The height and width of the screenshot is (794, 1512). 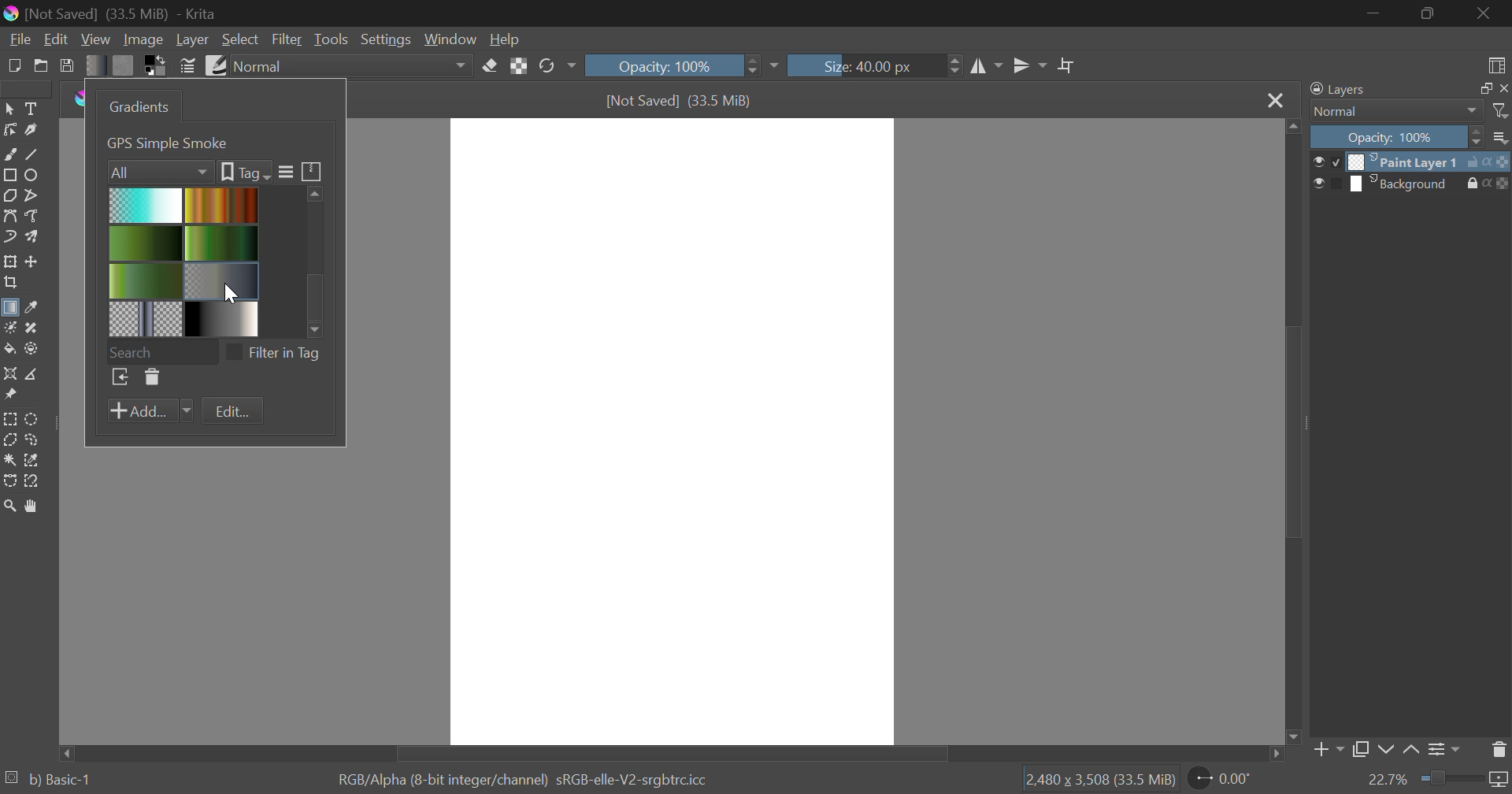 What do you see at coordinates (120, 379) in the screenshot?
I see `Import resource` at bounding box center [120, 379].